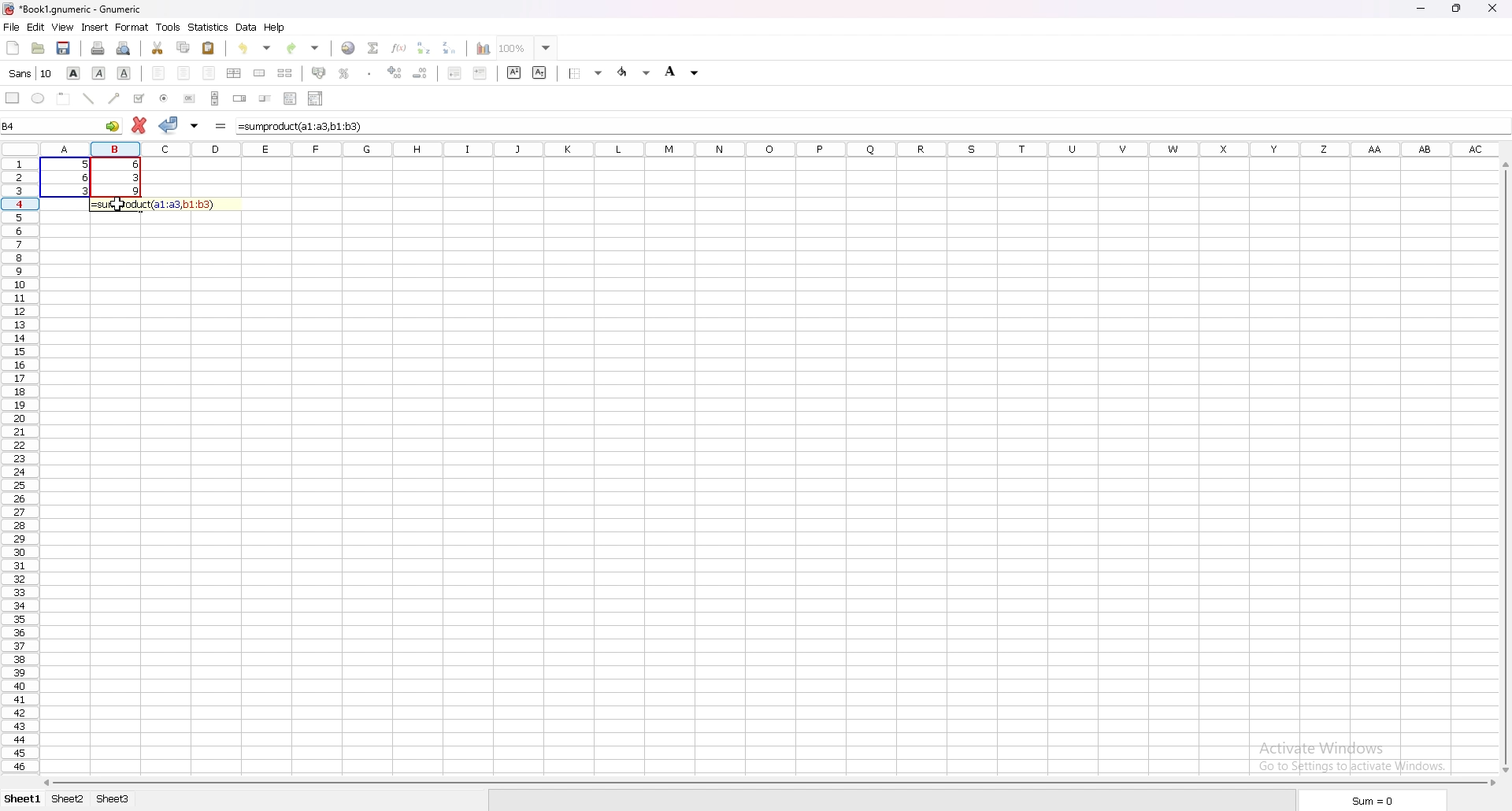 This screenshot has width=1512, height=811. I want to click on accept change, so click(169, 124).